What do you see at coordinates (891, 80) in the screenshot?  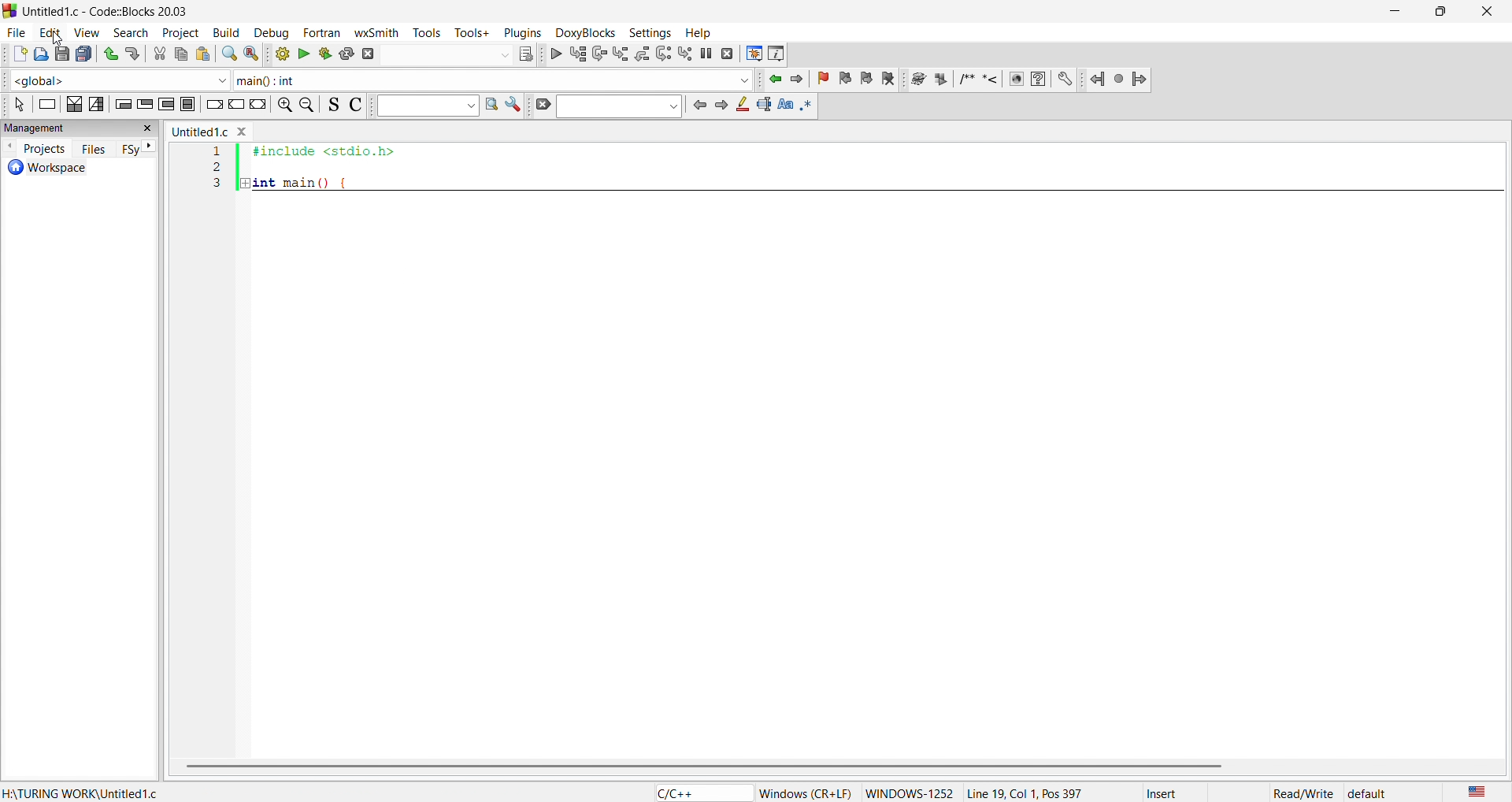 I see `clear bookmart` at bounding box center [891, 80].